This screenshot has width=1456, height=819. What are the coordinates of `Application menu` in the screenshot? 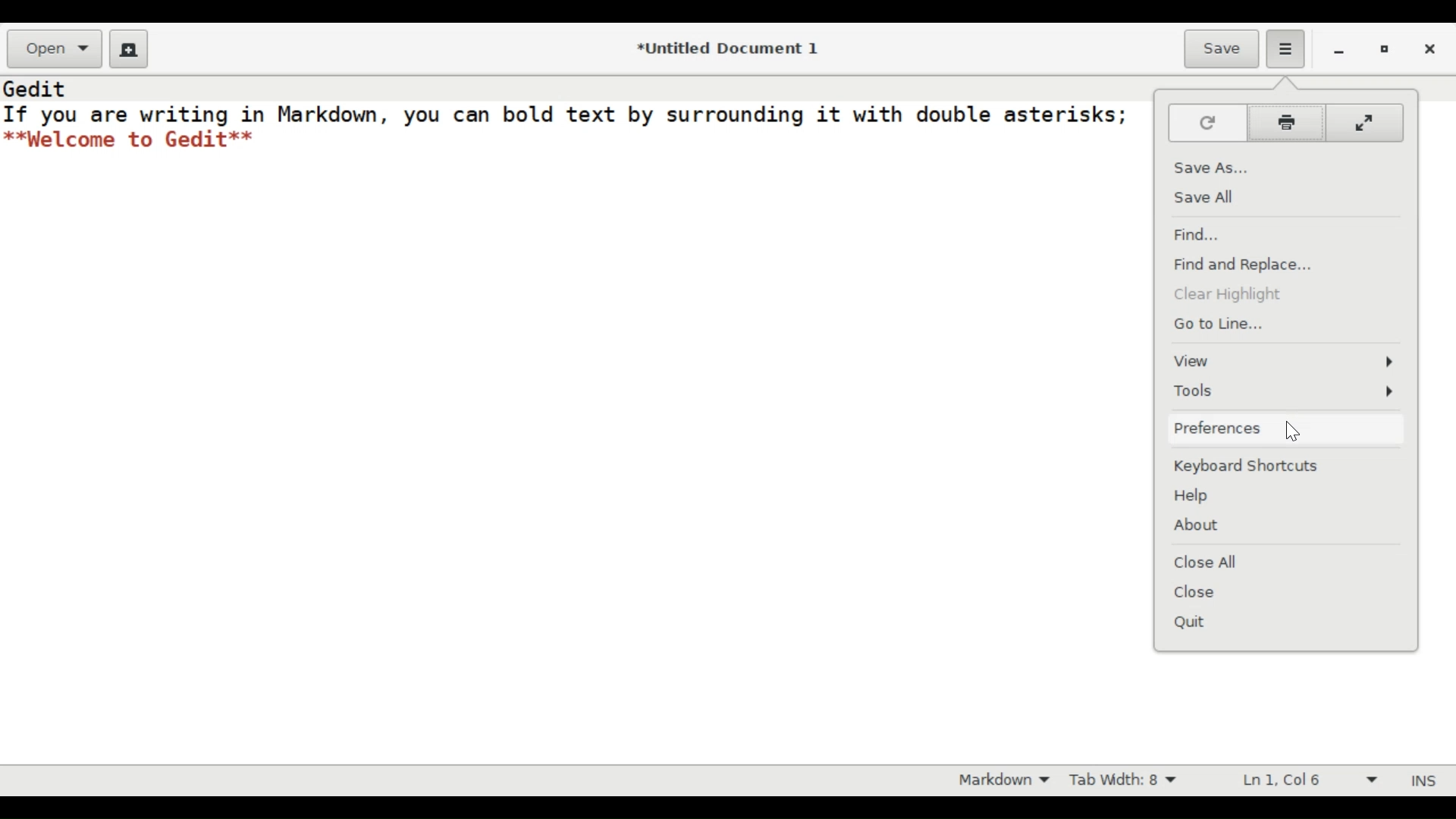 It's located at (1285, 49).